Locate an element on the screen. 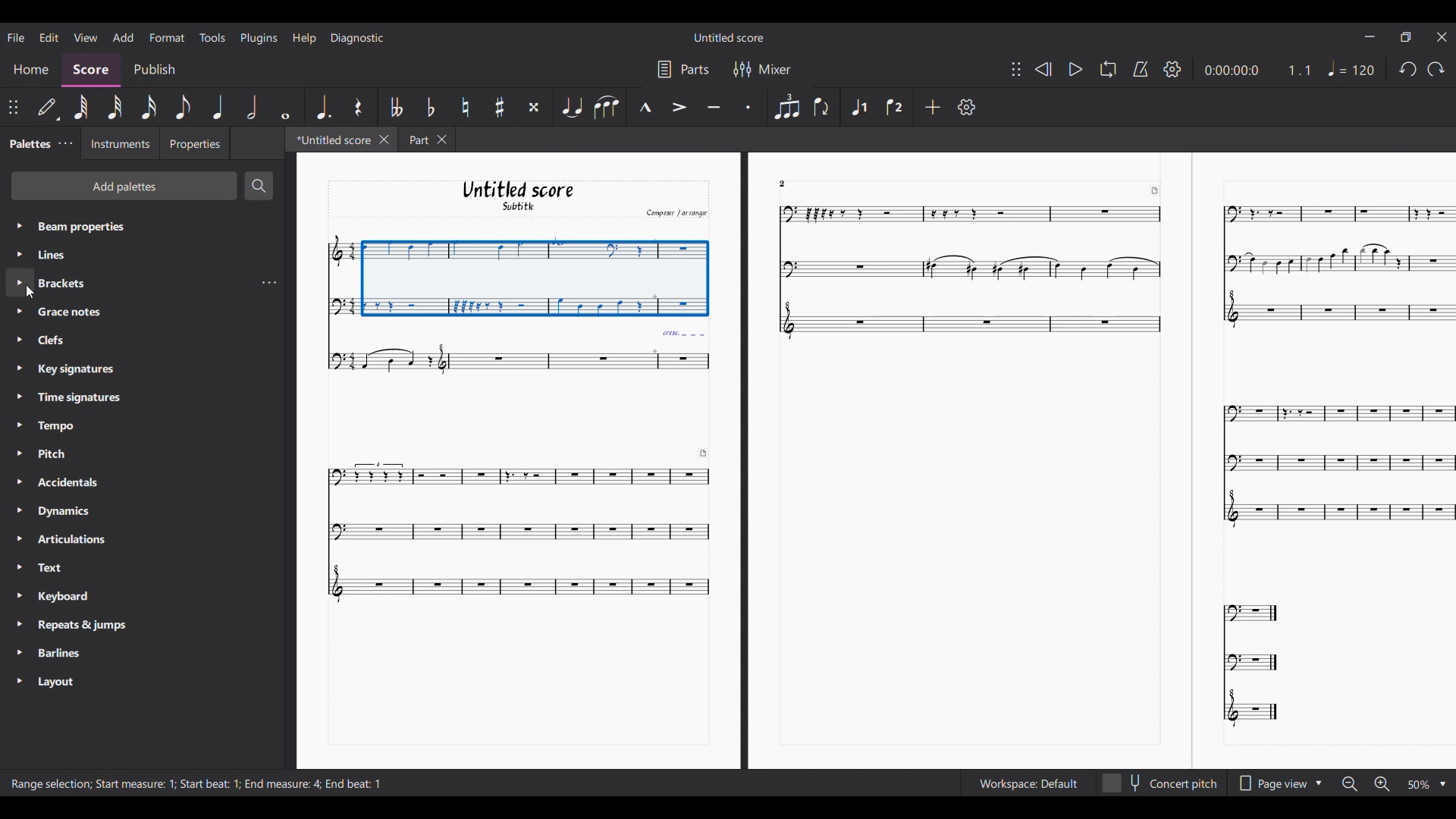 The width and height of the screenshot is (1456, 819). Plugins is located at coordinates (259, 38).